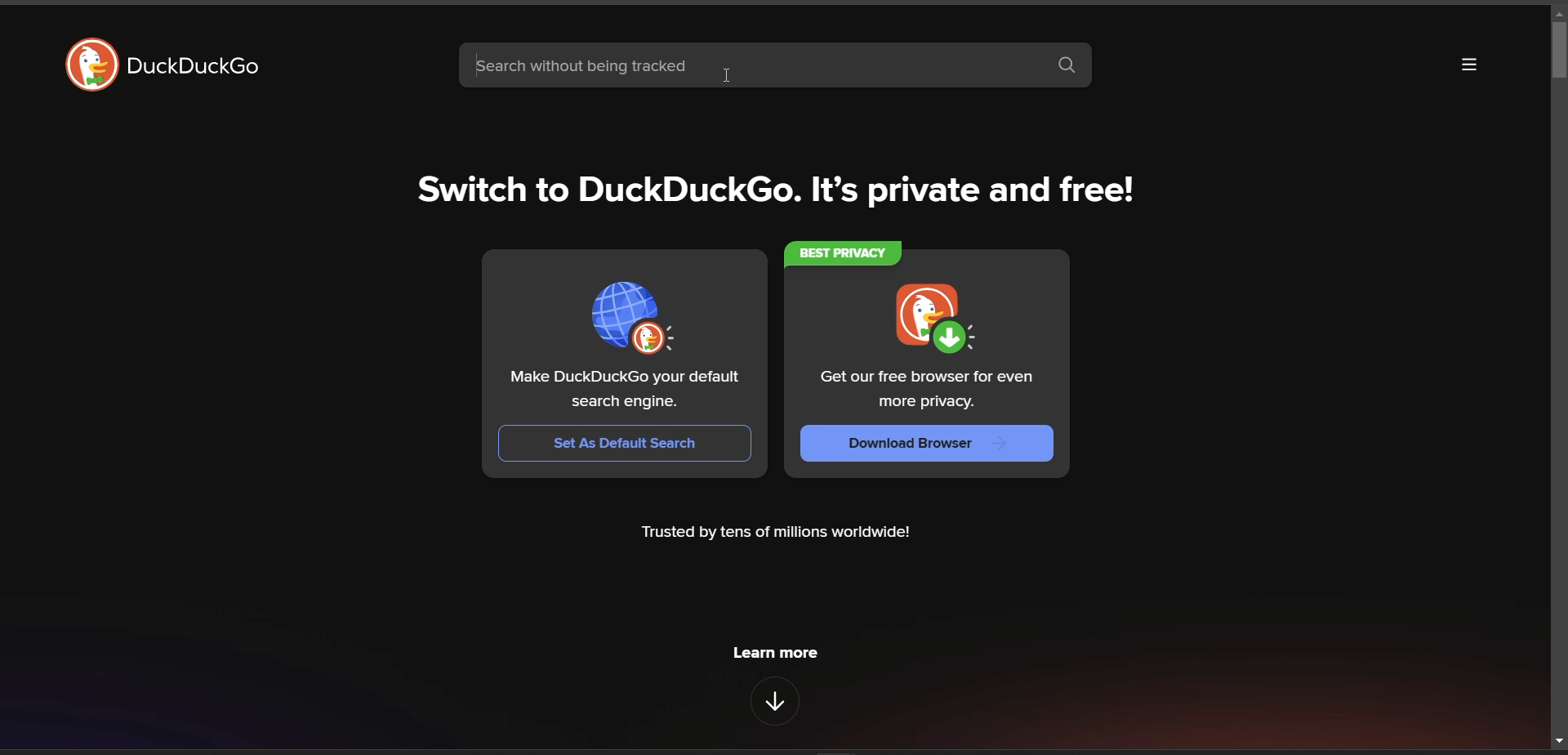  Describe the element at coordinates (198, 67) in the screenshot. I see `DuckDuckGo` at that location.